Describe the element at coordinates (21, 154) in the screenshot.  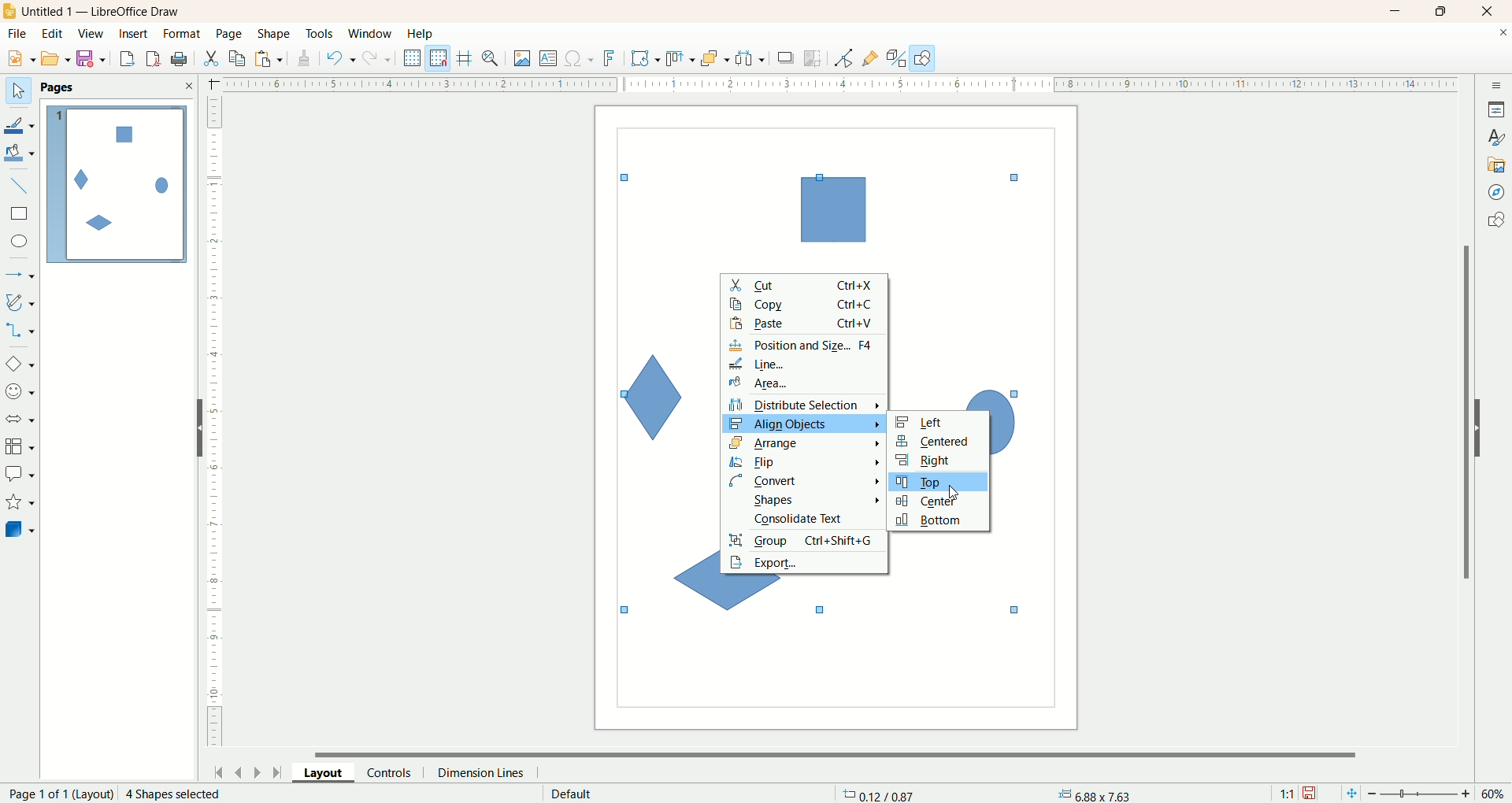
I see `fill color` at that location.